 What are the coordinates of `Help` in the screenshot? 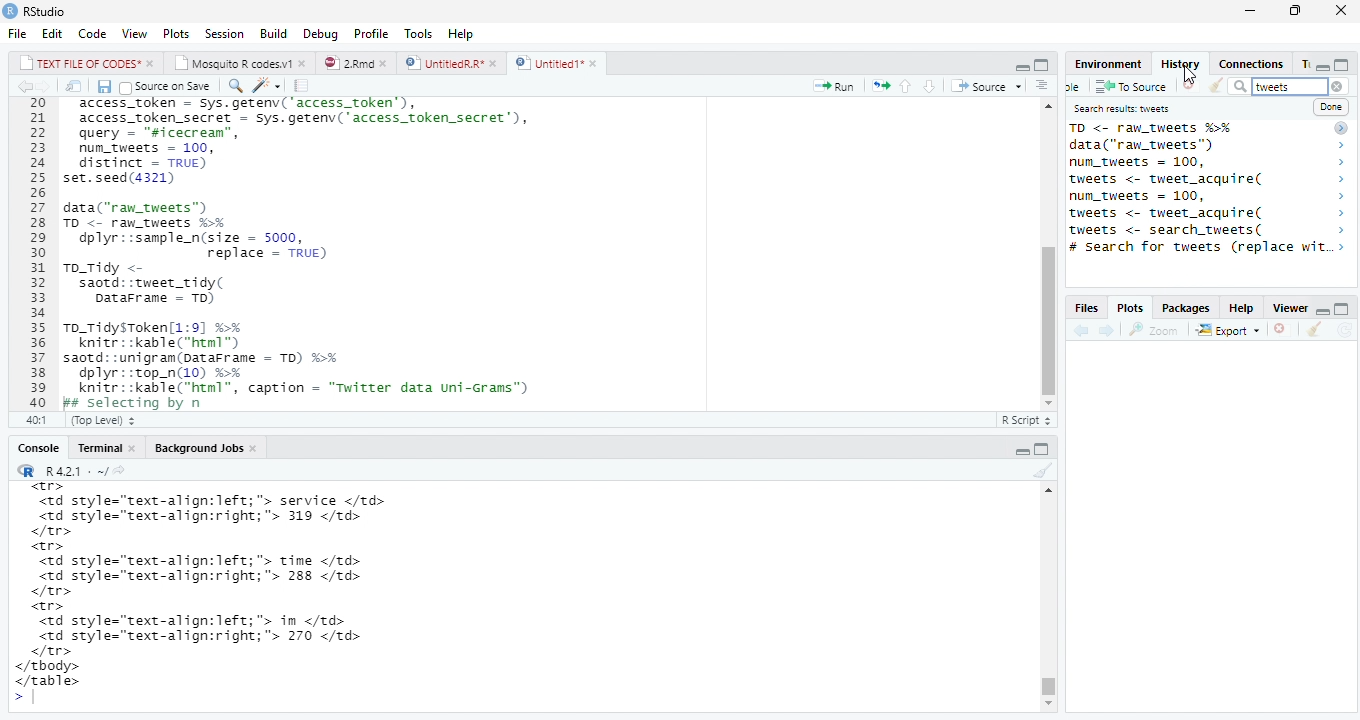 It's located at (1239, 309).